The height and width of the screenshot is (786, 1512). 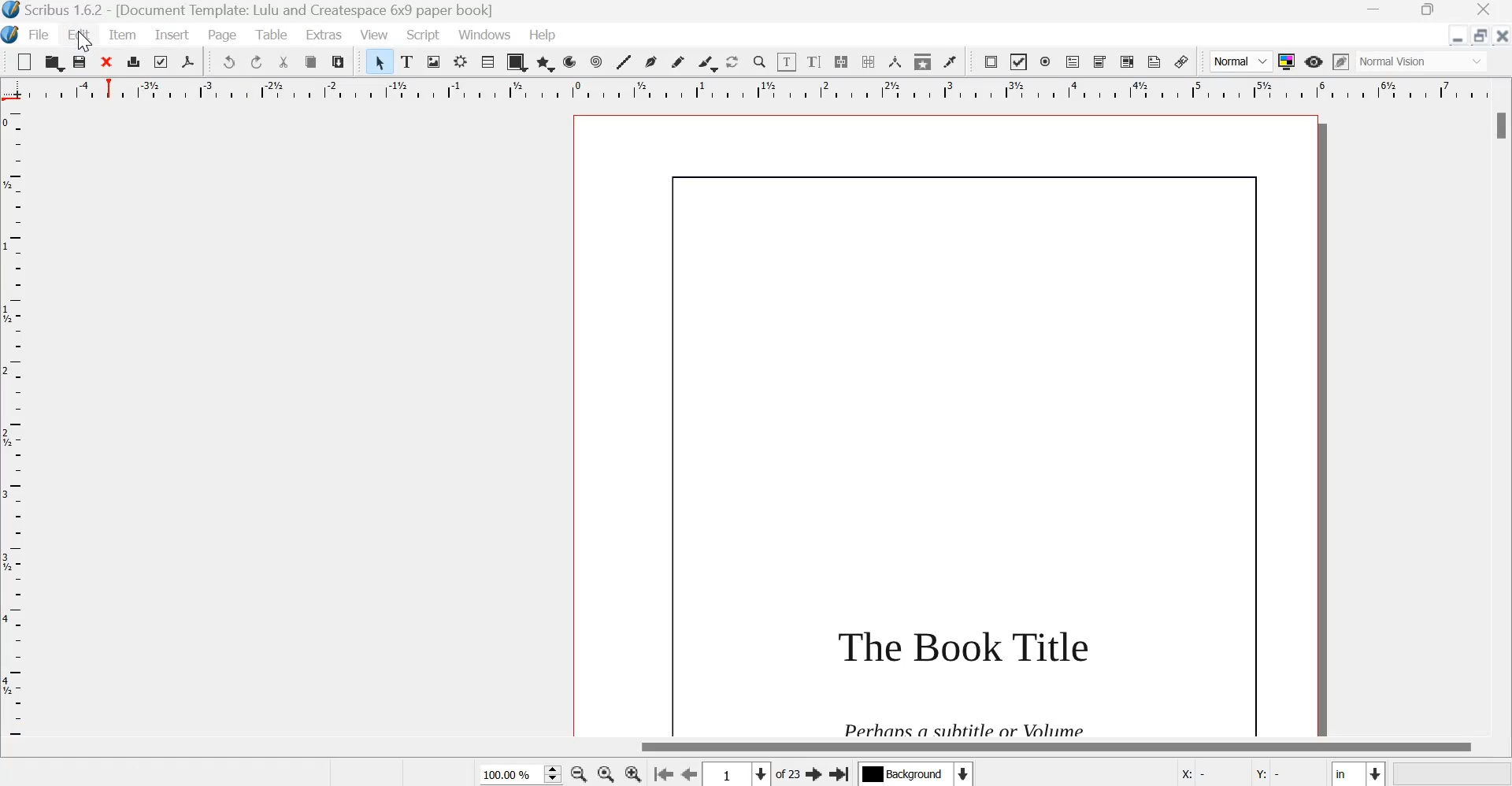 What do you see at coordinates (572, 60) in the screenshot?
I see `arc` at bounding box center [572, 60].